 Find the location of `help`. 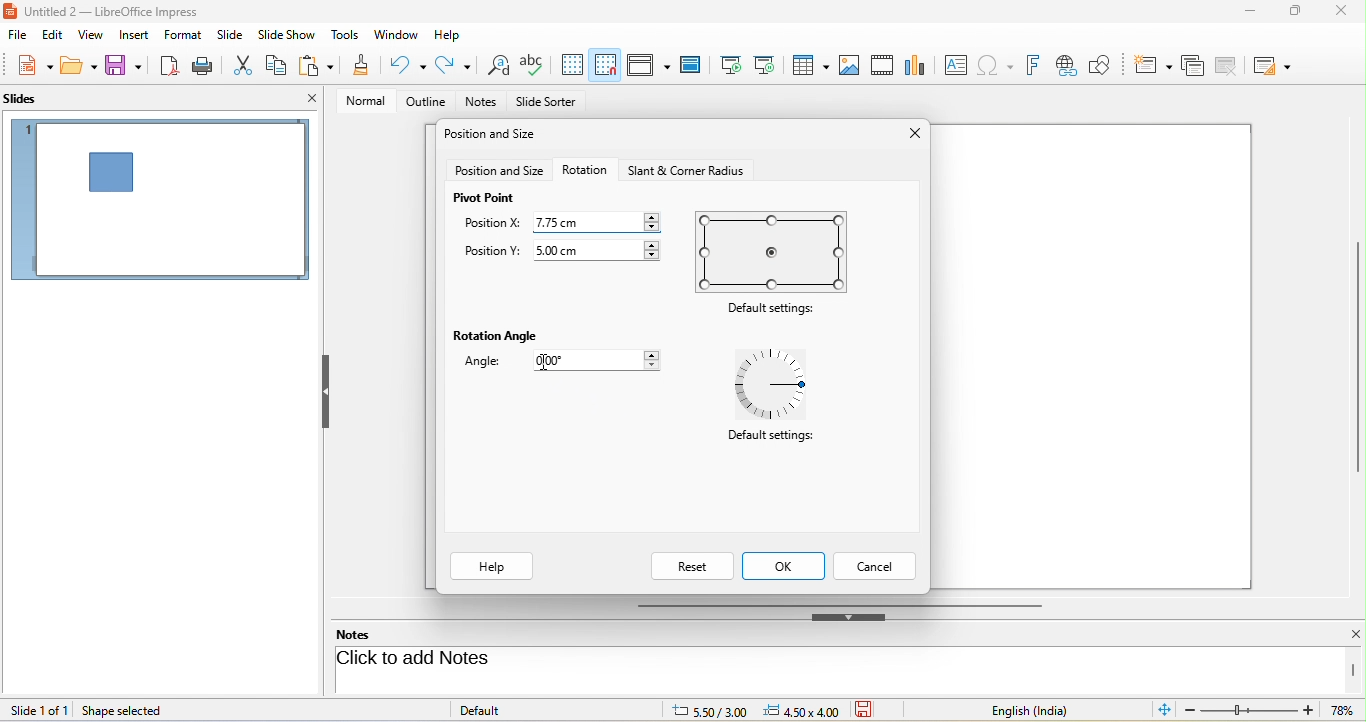

help is located at coordinates (492, 567).